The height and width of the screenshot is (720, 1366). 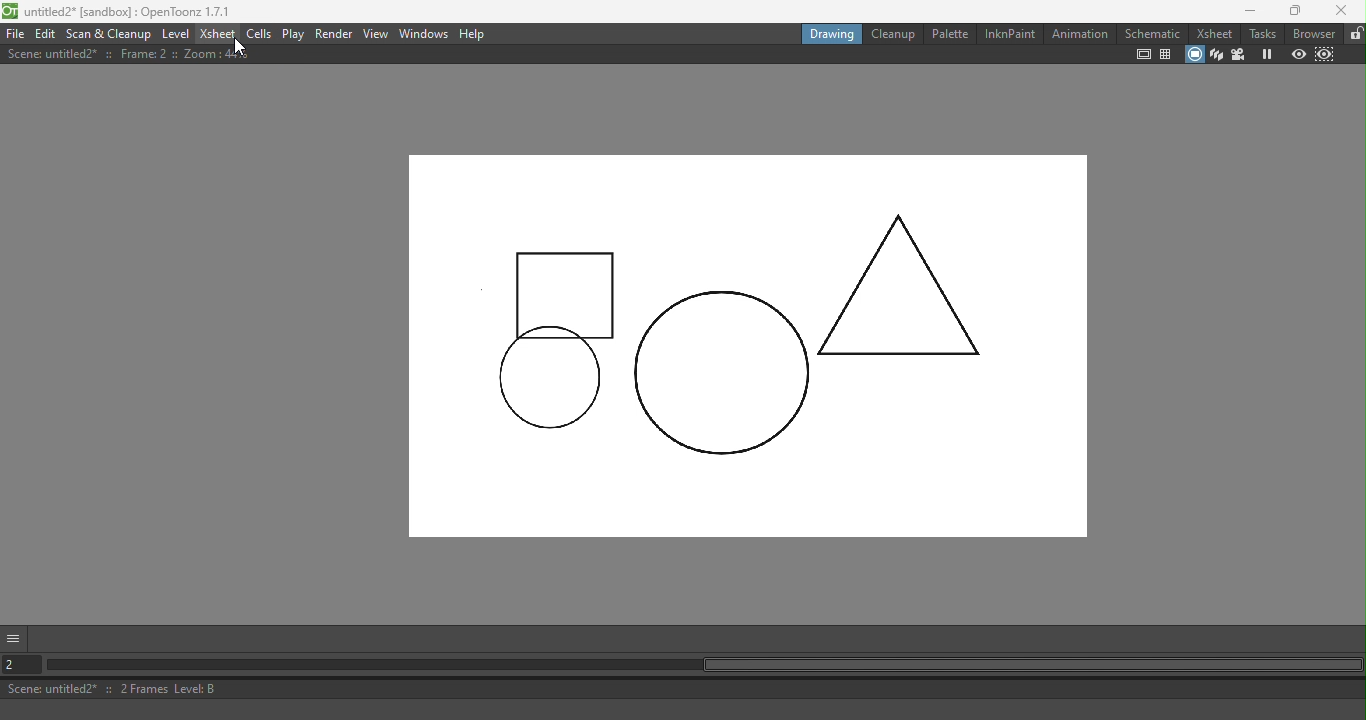 What do you see at coordinates (1261, 34) in the screenshot?
I see `Tasks` at bounding box center [1261, 34].